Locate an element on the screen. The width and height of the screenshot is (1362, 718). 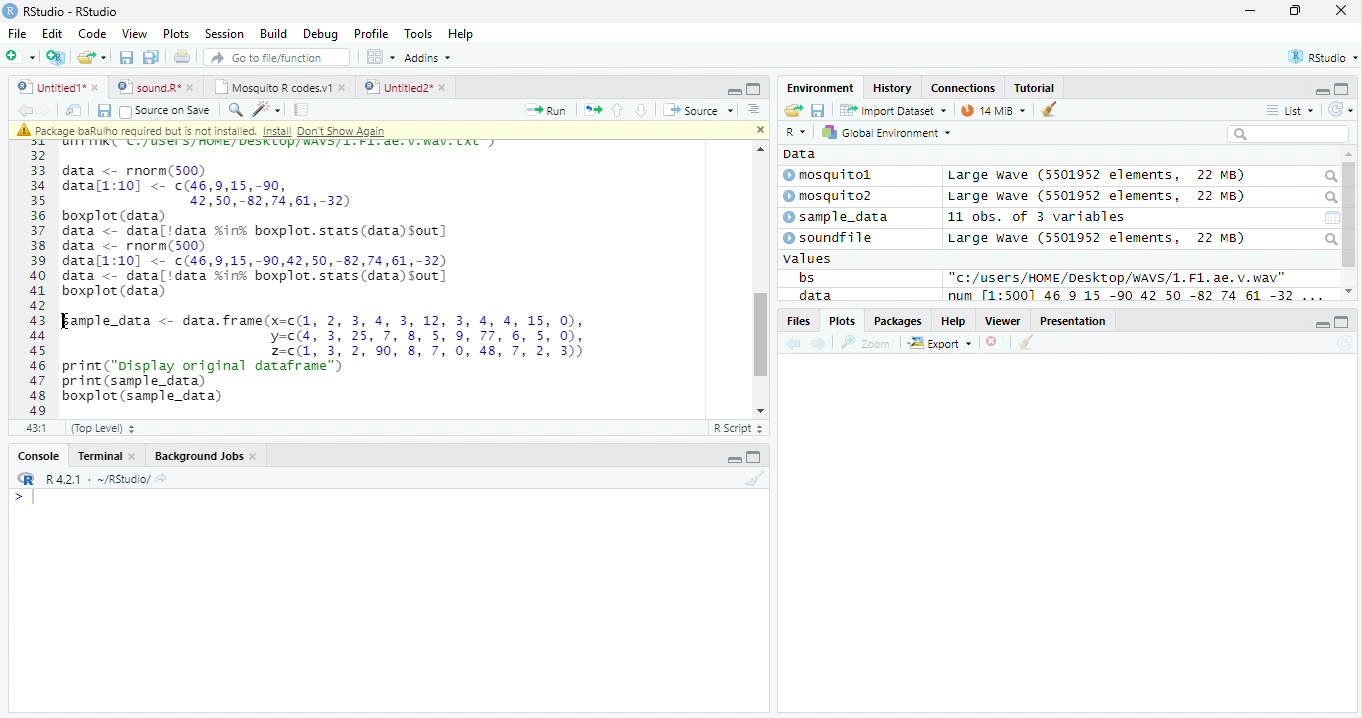
Plots is located at coordinates (177, 34).